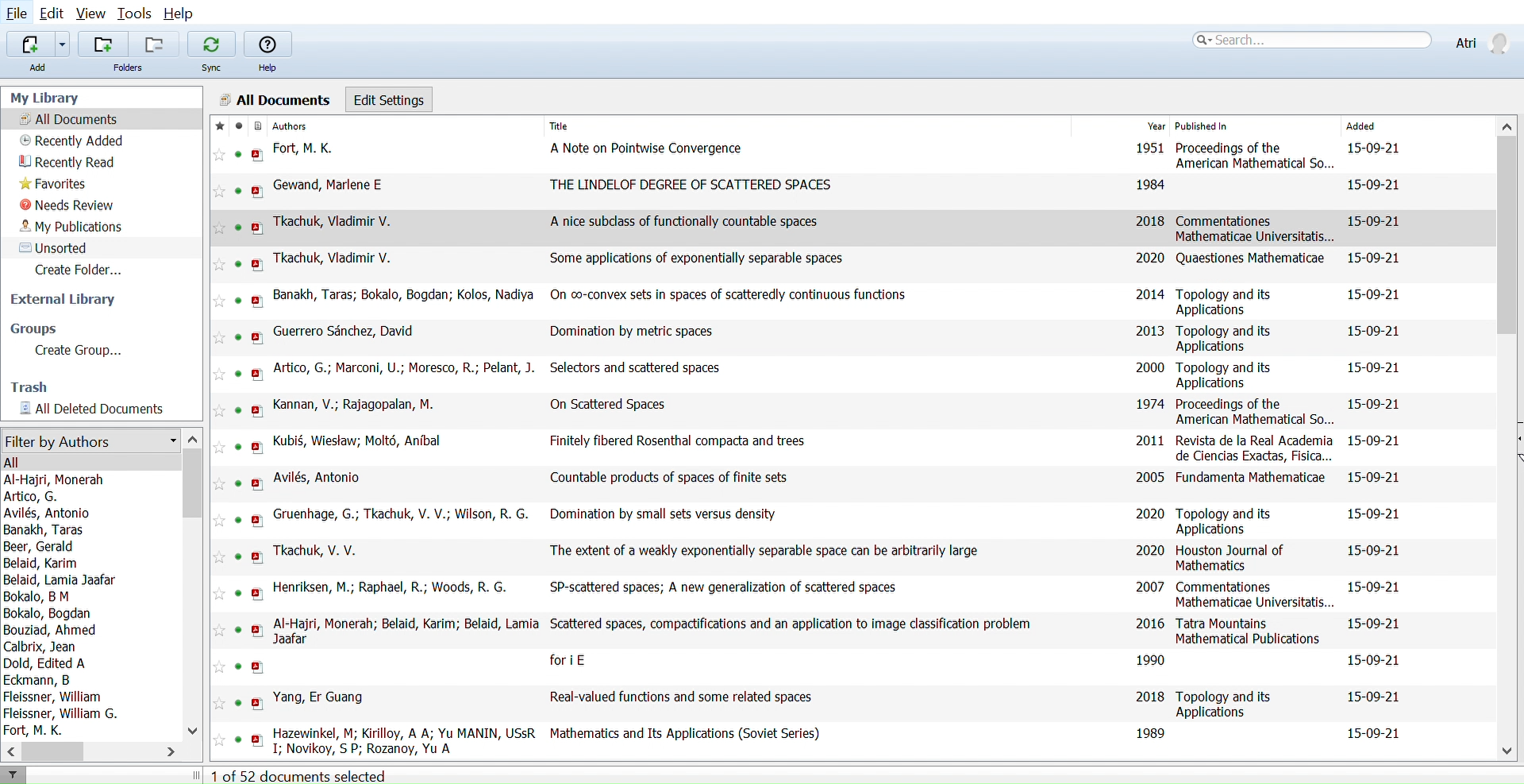 The width and height of the screenshot is (1524, 784). Describe the element at coordinates (1148, 367) in the screenshot. I see `2000` at that location.